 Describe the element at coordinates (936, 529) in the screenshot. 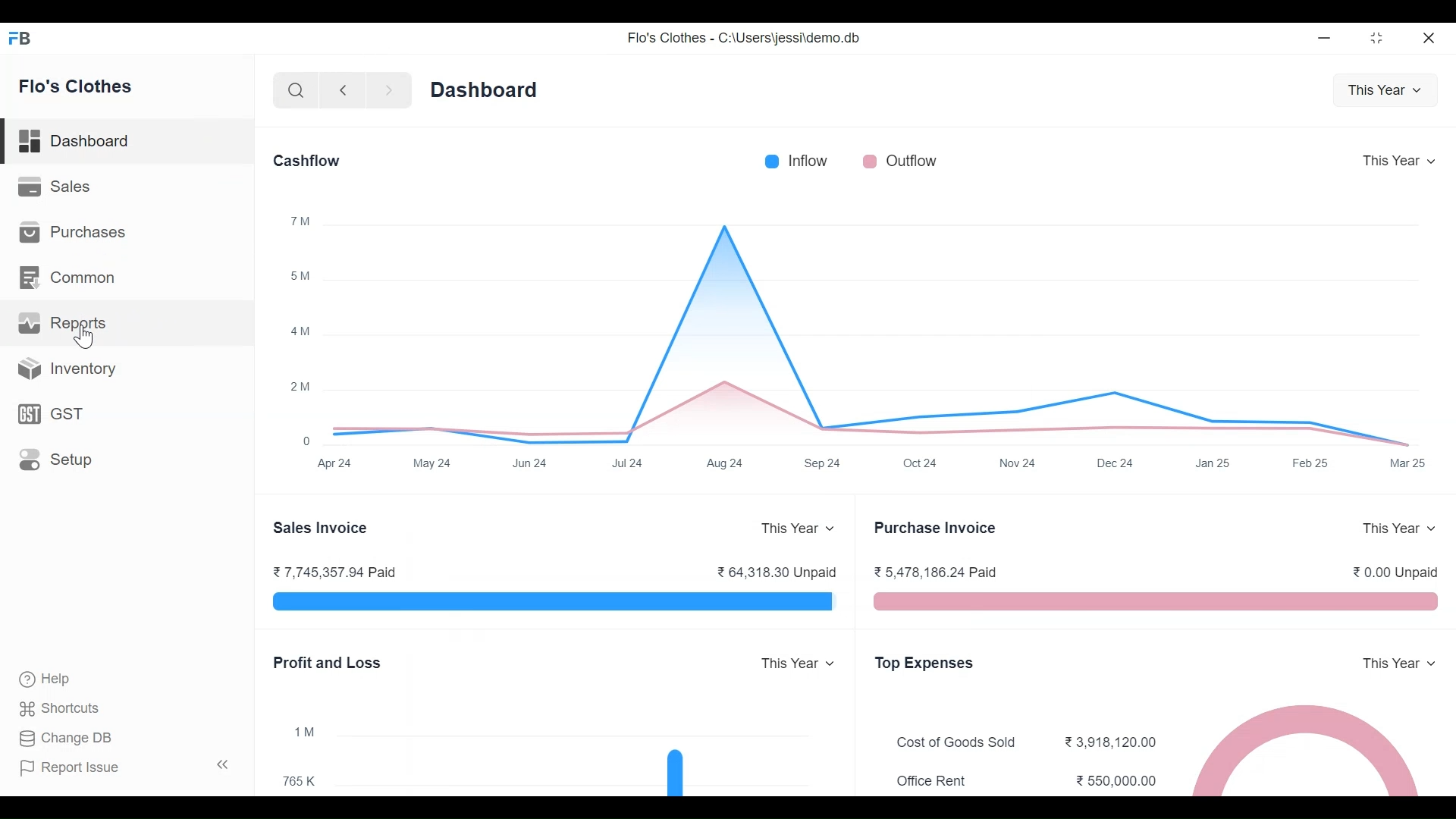

I see `Purchase Invoice` at that location.